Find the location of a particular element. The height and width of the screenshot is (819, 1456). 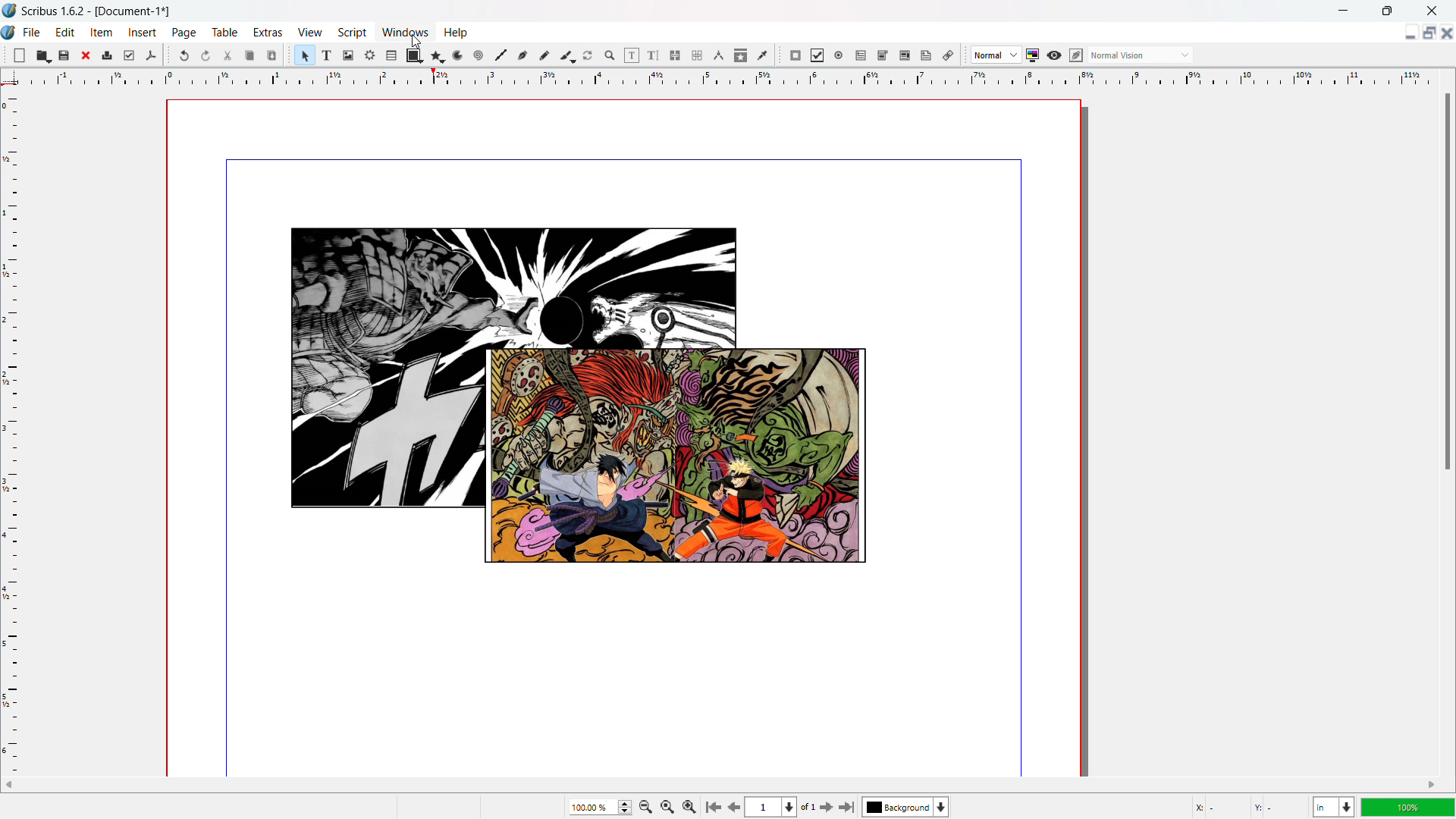

view is located at coordinates (309, 32).